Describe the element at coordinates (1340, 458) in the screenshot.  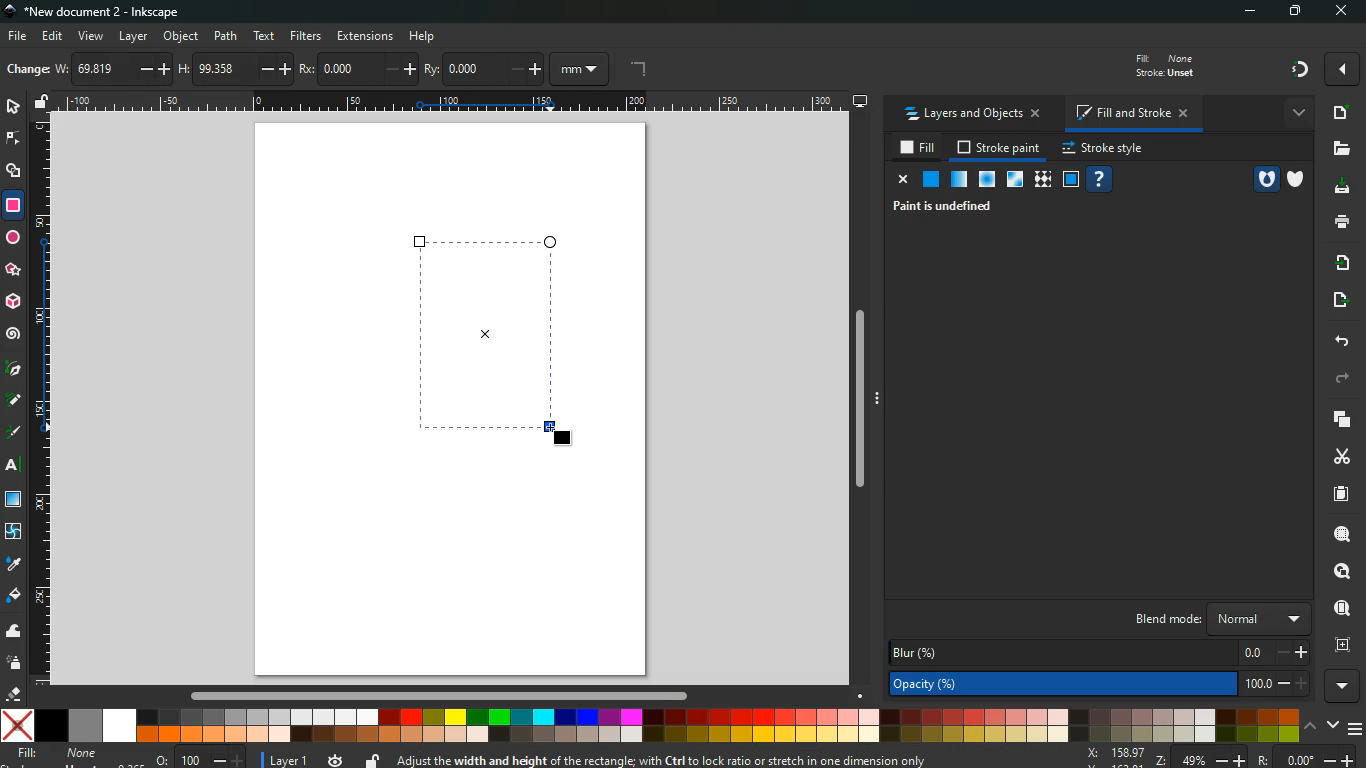
I see `cut` at that location.